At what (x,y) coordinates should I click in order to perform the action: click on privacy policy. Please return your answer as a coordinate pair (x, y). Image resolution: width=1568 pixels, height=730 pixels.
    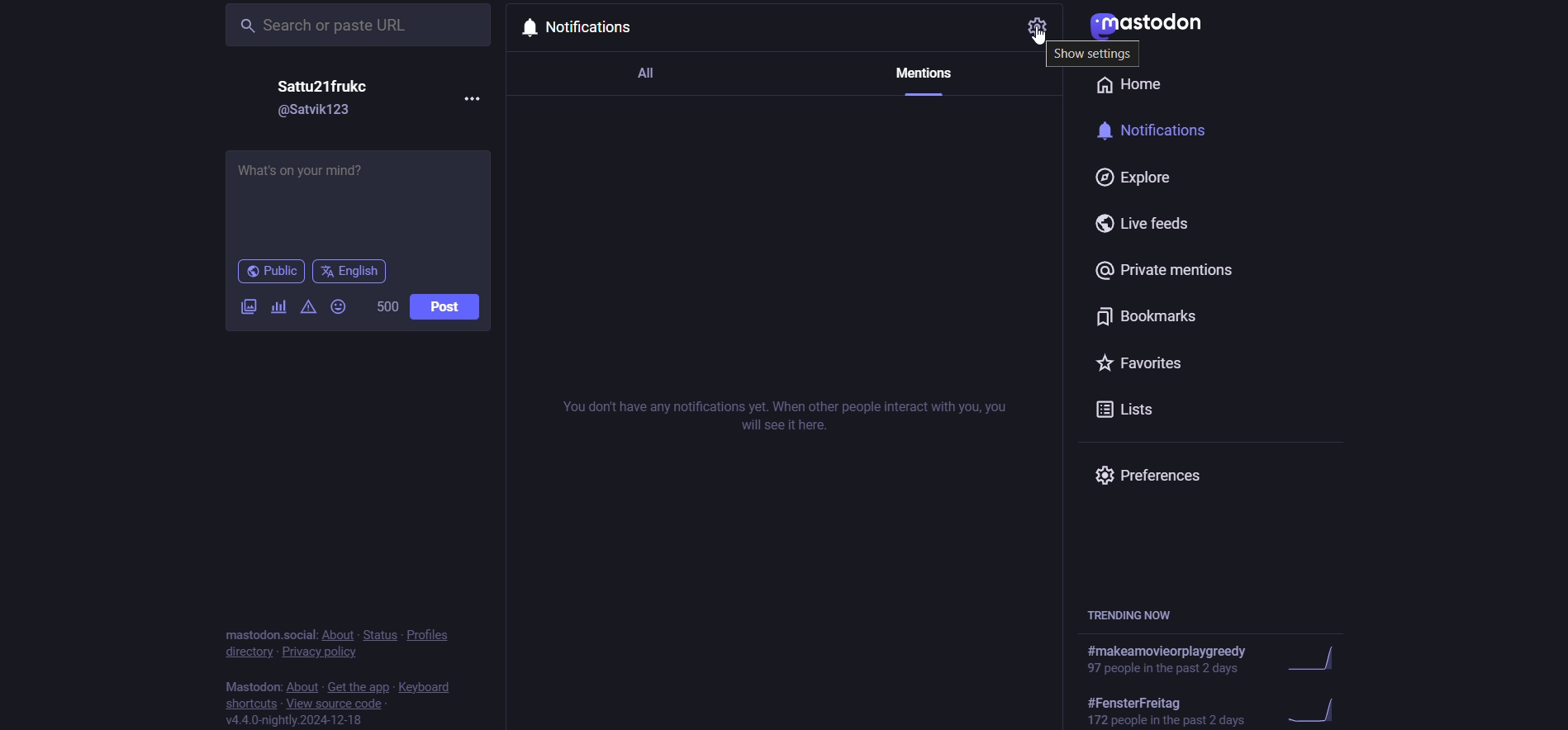
    Looking at the image, I should click on (324, 652).